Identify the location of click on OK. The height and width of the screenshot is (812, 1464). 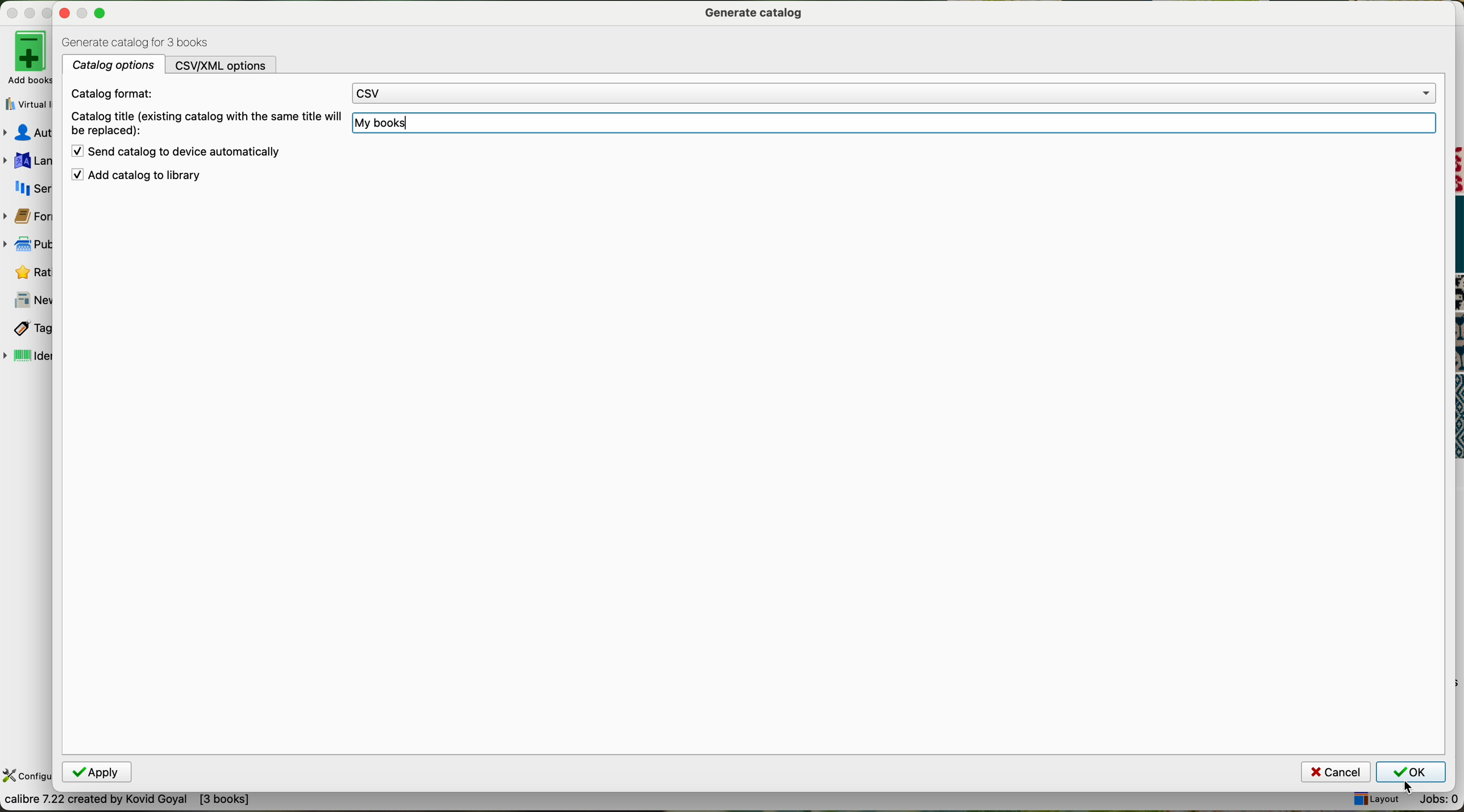
(1413, 770).